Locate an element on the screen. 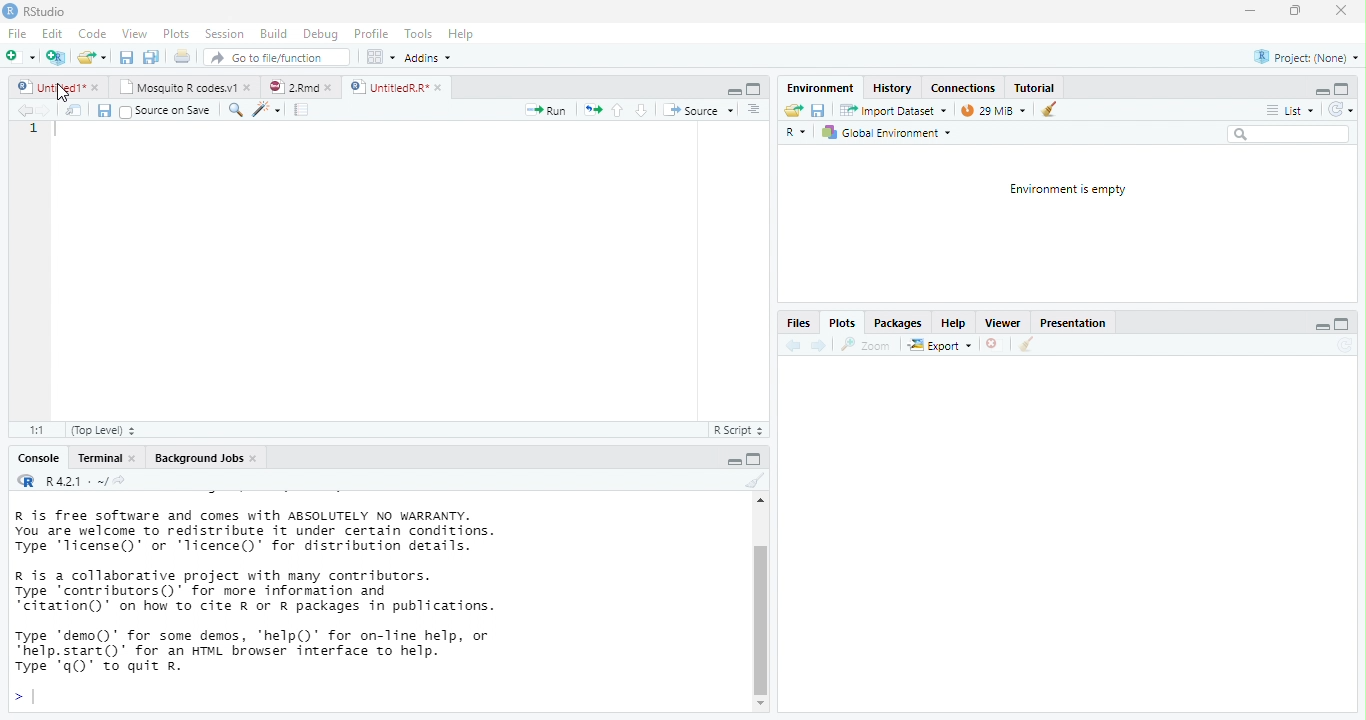  print current file is located at coordinates (151, 57).